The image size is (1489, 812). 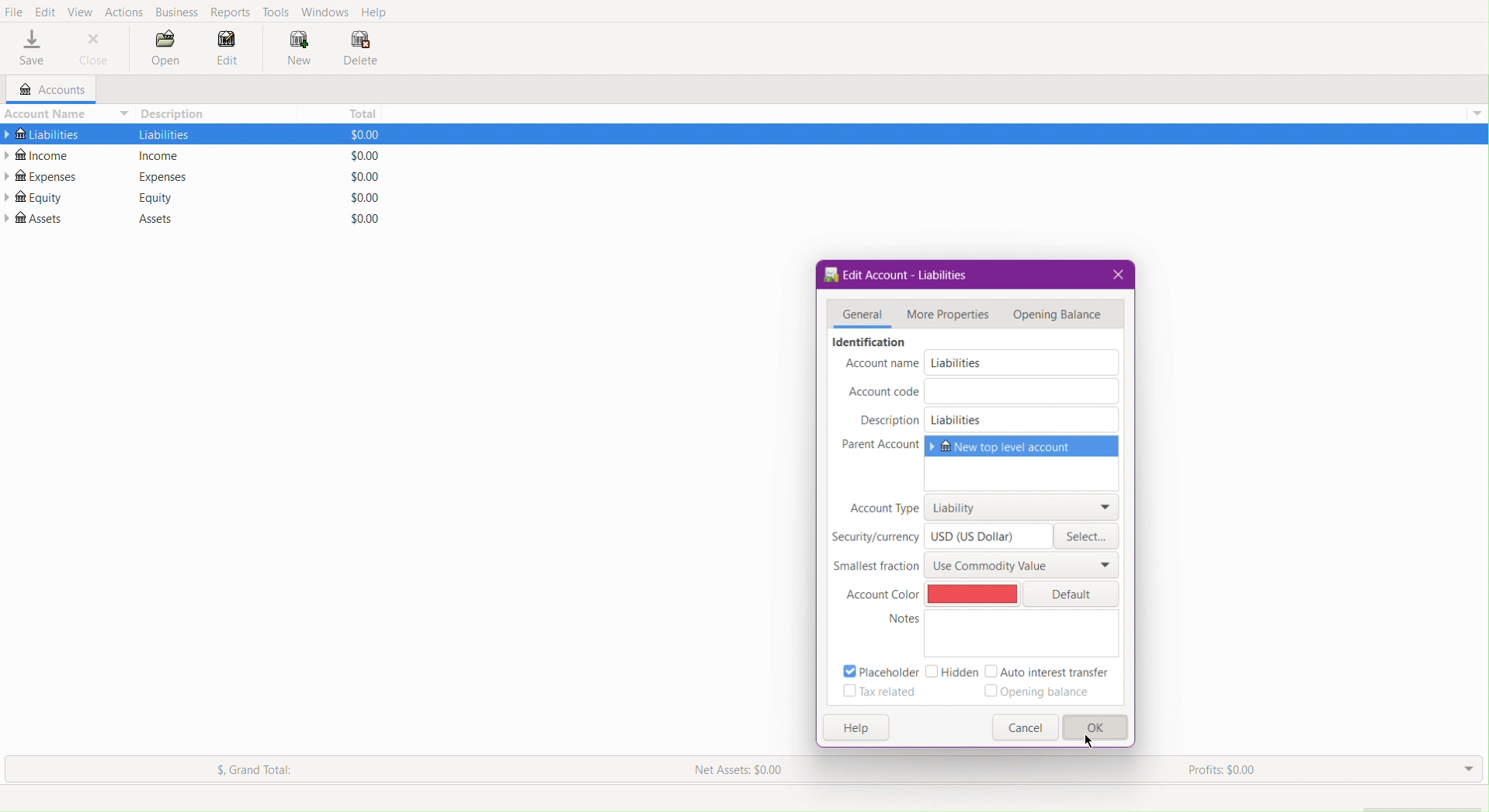 What do you see at coordinates (1466, 769) in the screenshot?
I see `Drop Down` at bounding box center [1466, 769].